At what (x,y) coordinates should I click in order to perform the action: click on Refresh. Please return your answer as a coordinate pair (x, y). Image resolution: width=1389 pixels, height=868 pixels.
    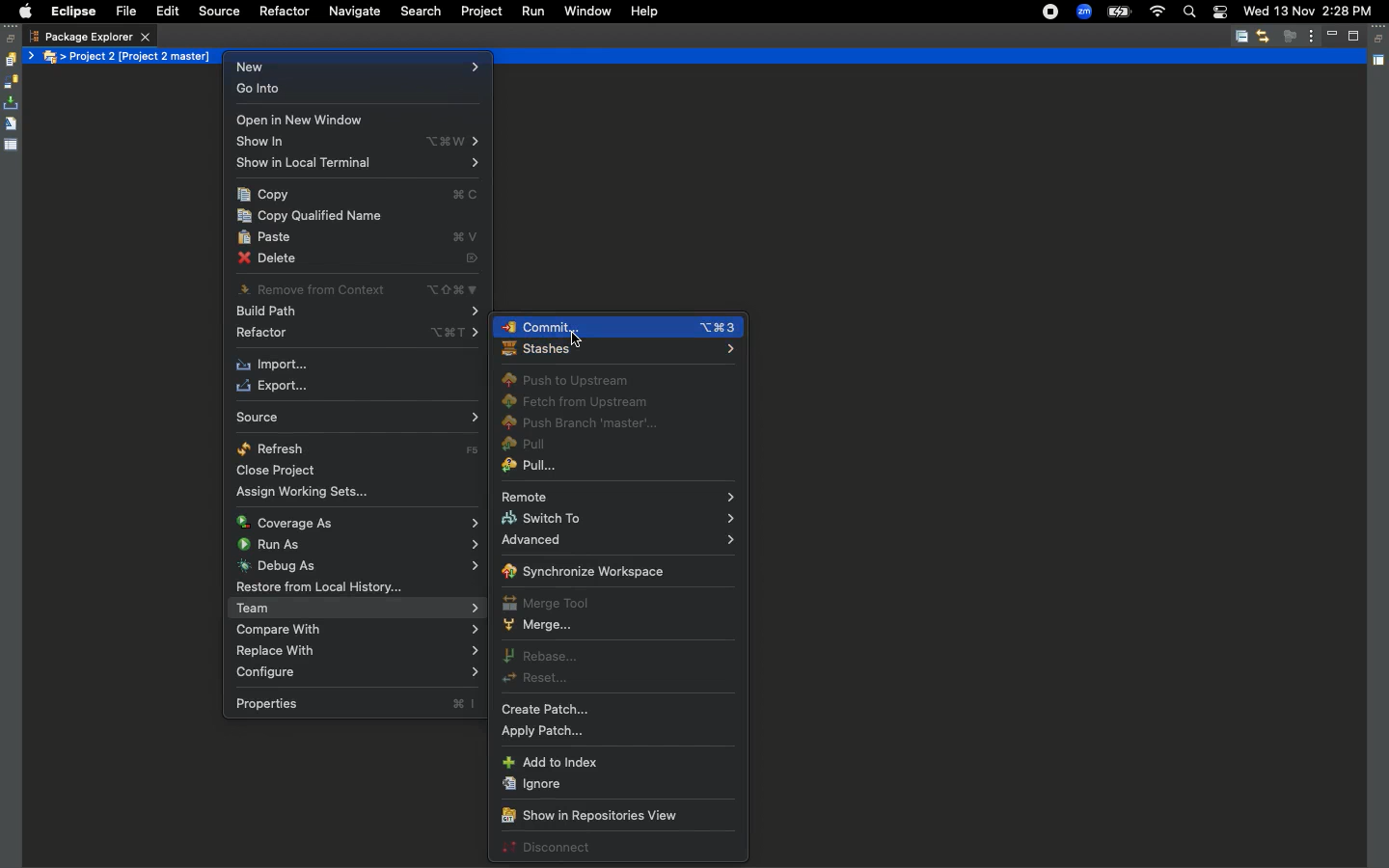
    Looking at the image, I should click on (359, 448).